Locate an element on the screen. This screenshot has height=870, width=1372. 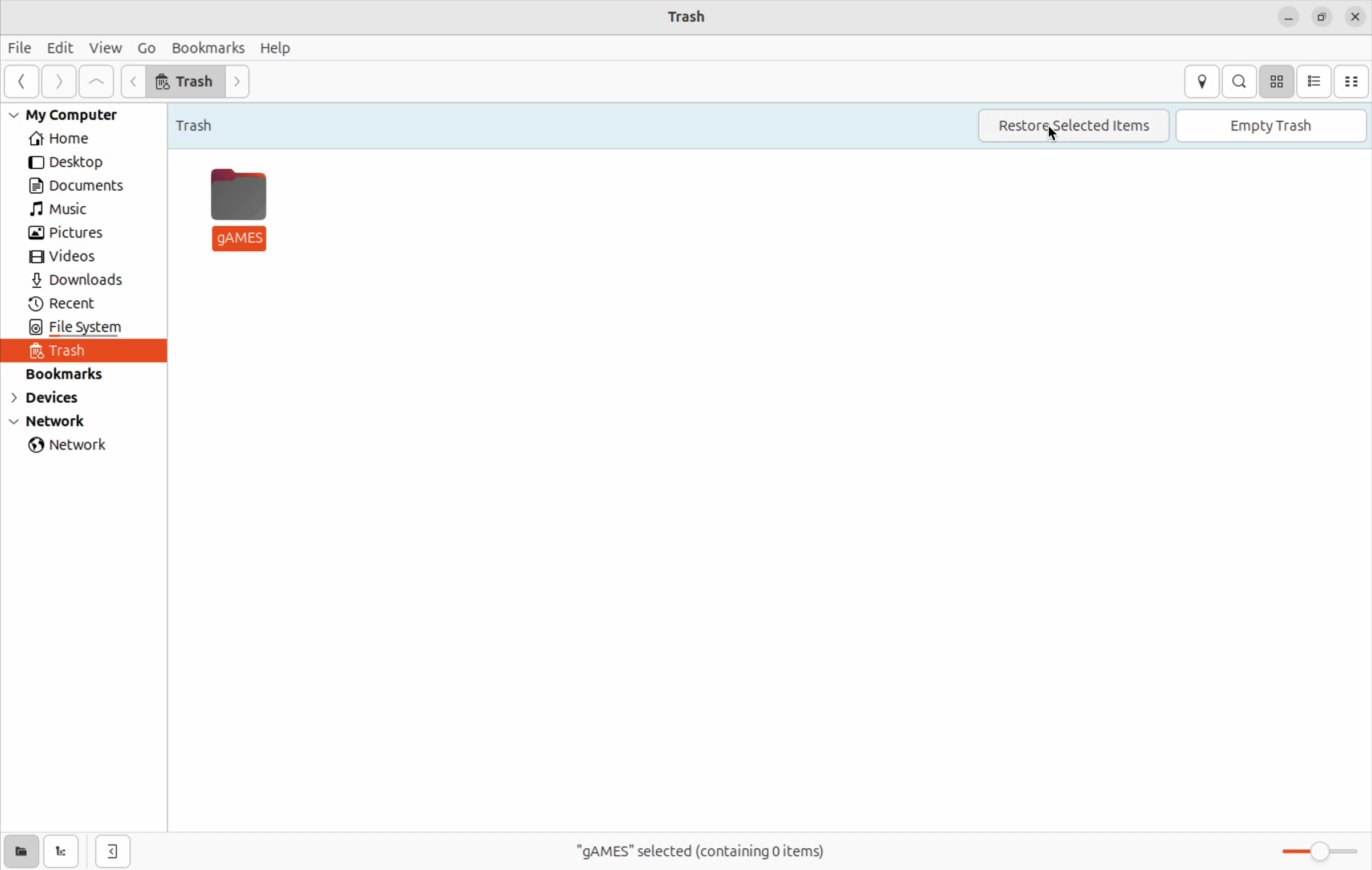
my computer is located at coordinates (75, 115).